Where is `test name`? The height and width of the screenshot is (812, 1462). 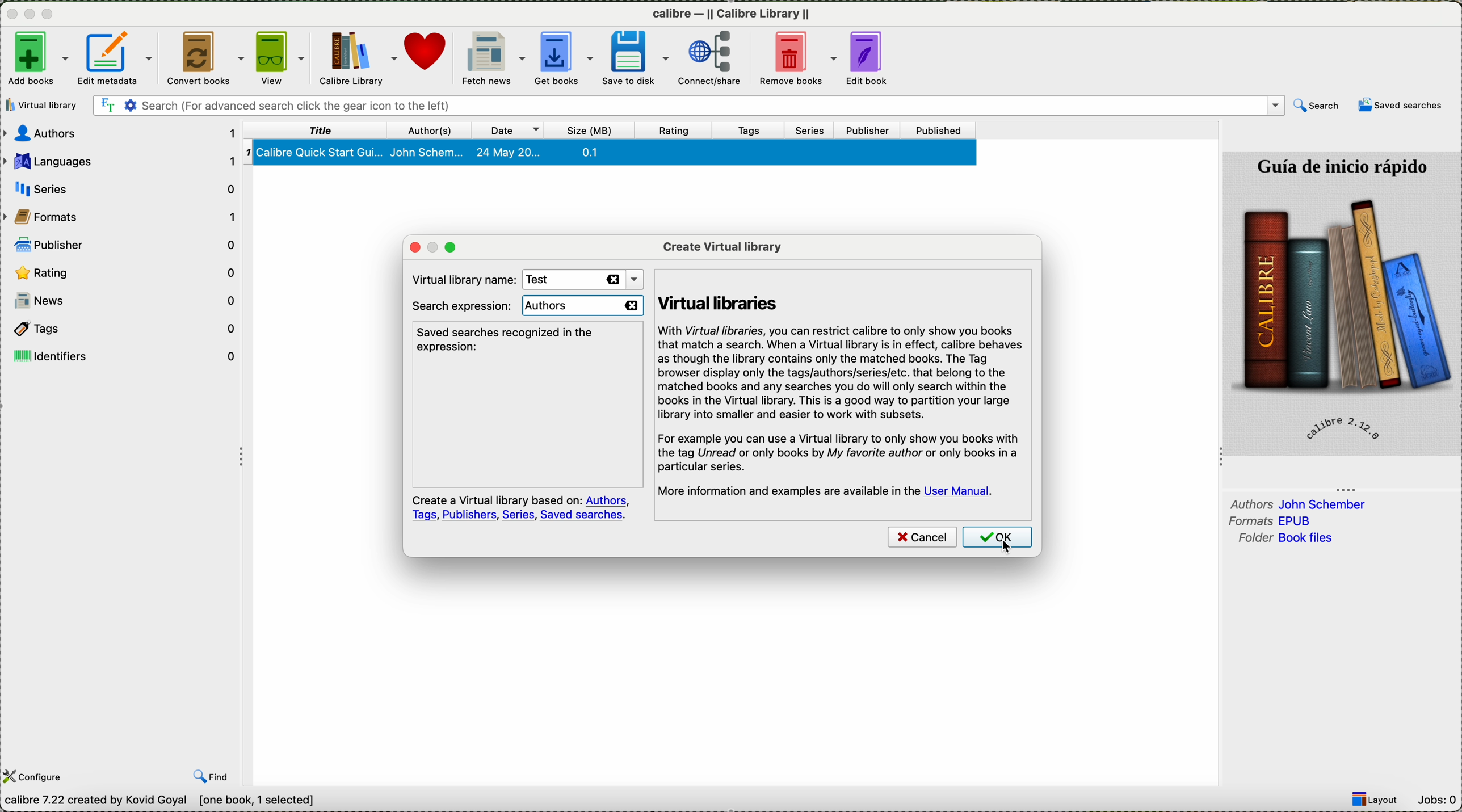
test name is located at coordinates (578, 280).